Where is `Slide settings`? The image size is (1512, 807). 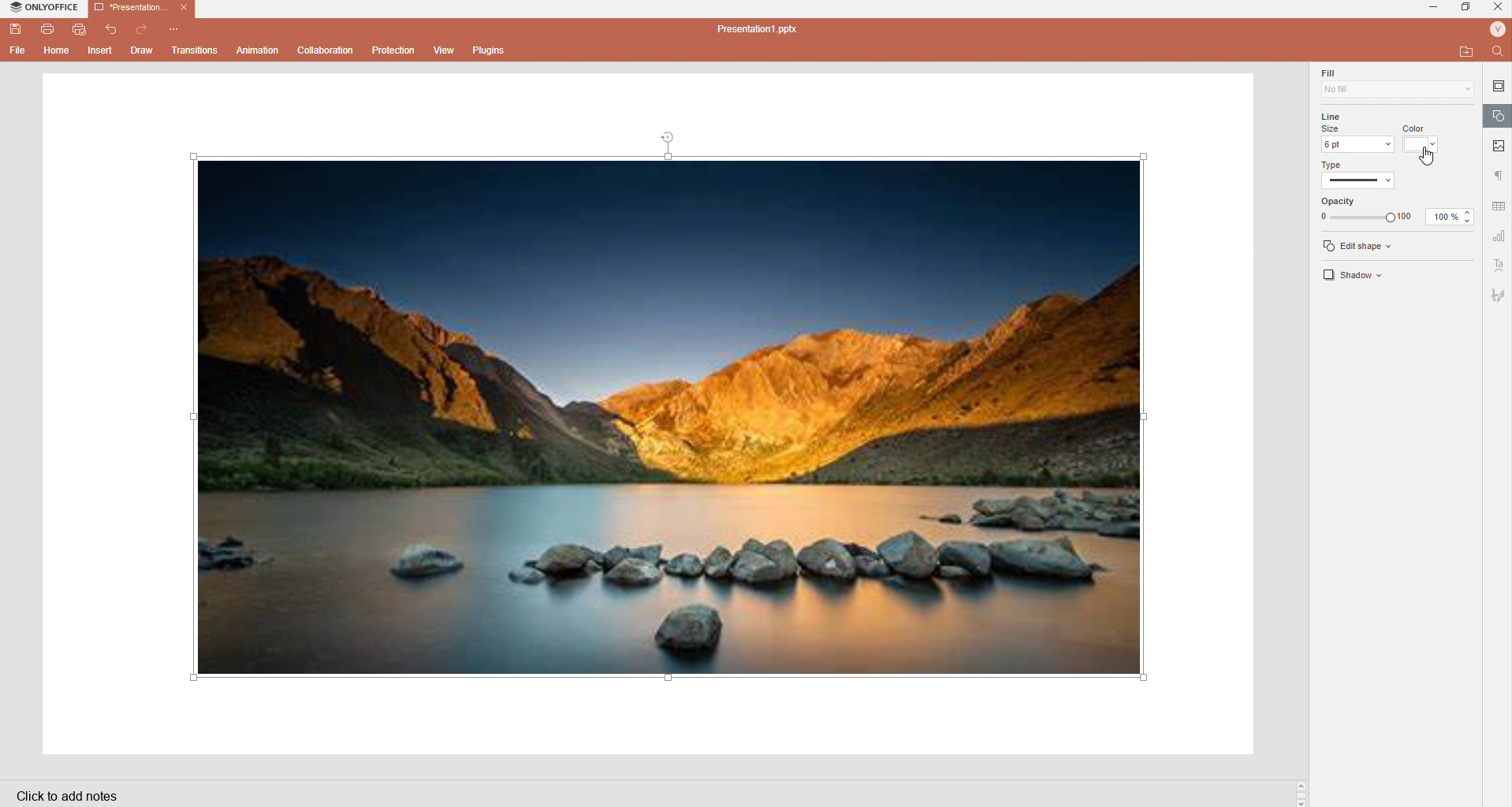
Slide settings is located at coordinates (1499, 86).